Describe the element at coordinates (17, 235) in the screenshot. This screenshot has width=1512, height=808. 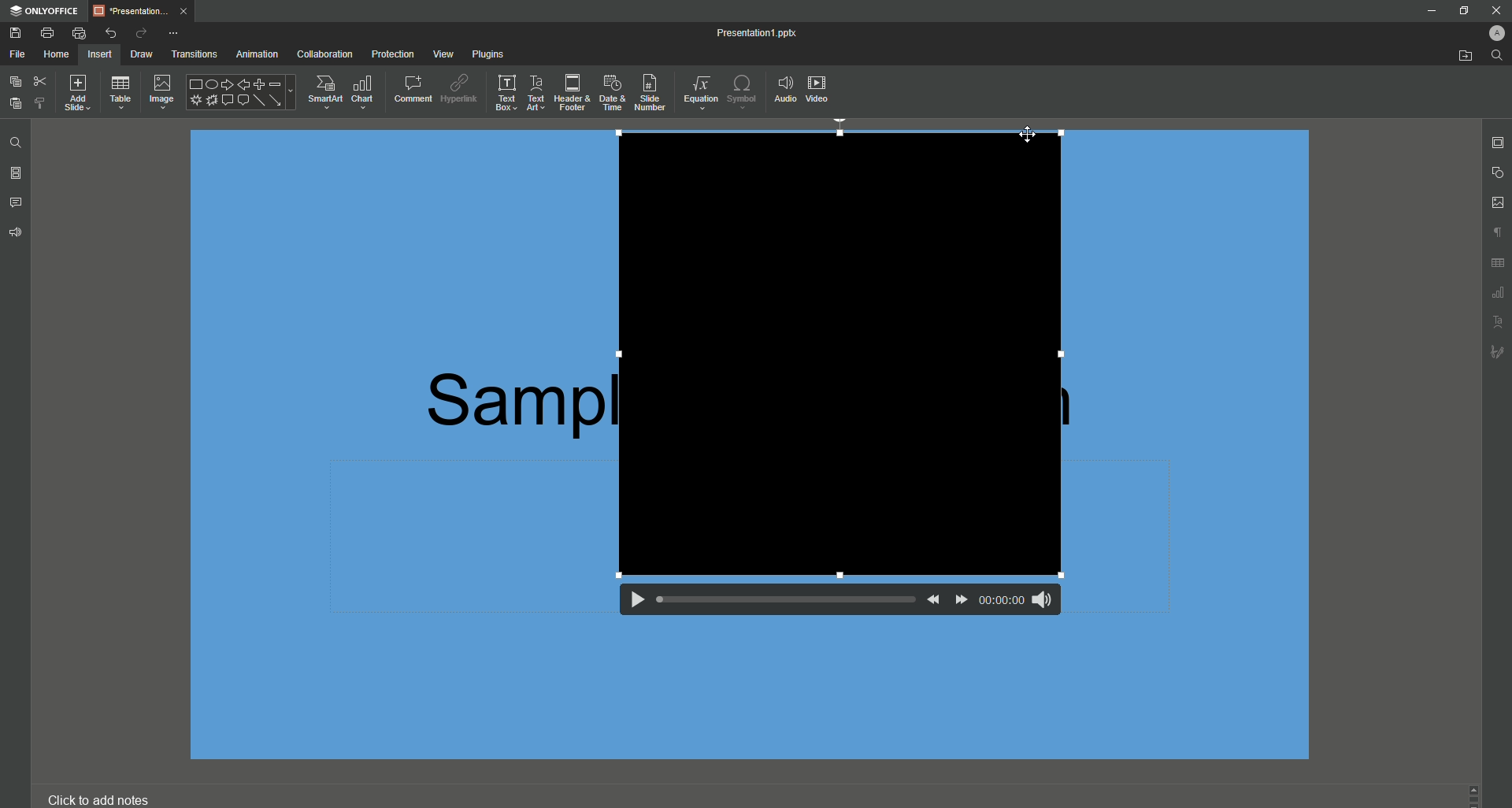
I see `Feedback` at that location.